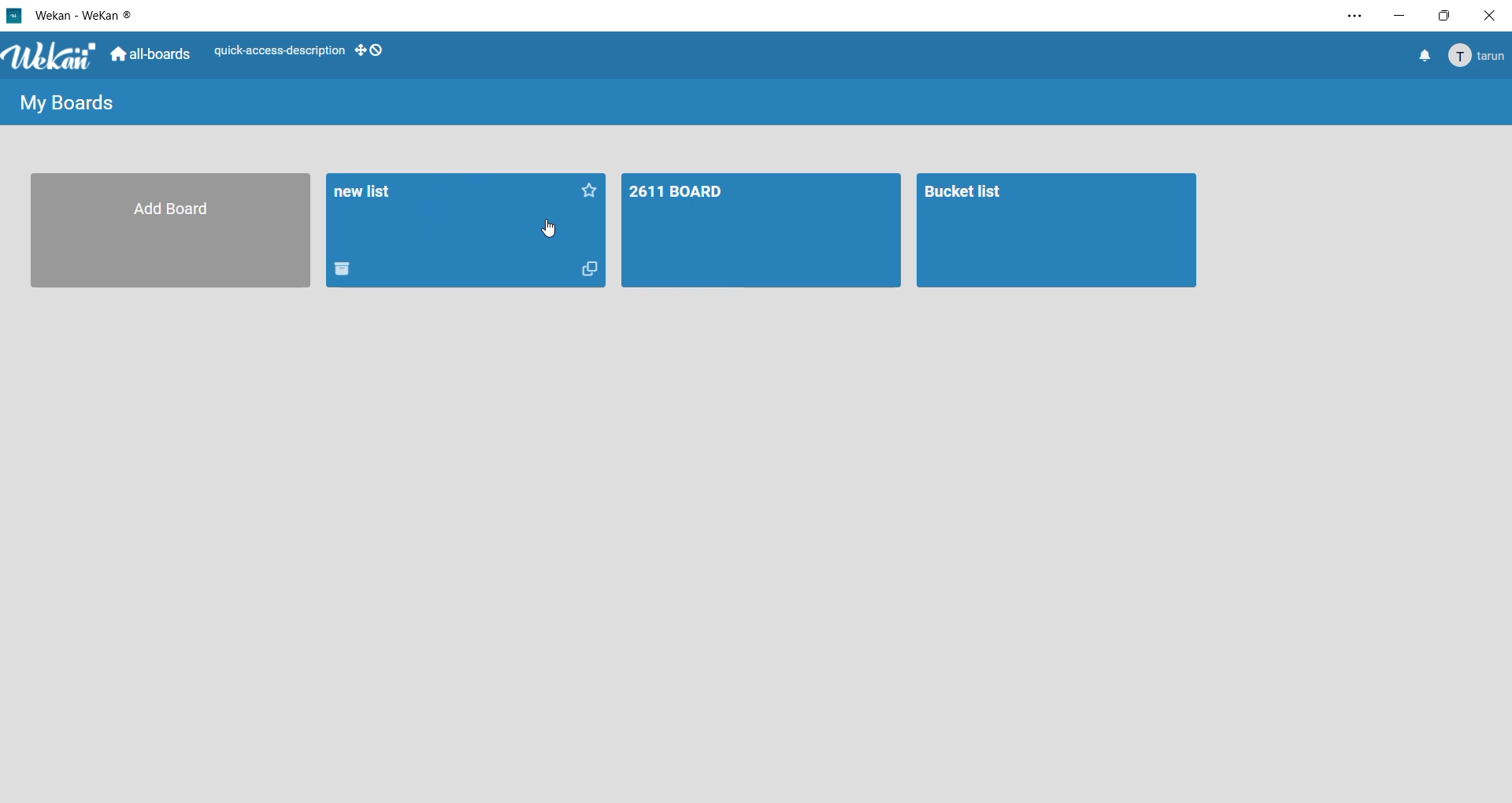  Describe the element at coordinates (595, 271) in the screenshot. I see `duplicate` at that location.